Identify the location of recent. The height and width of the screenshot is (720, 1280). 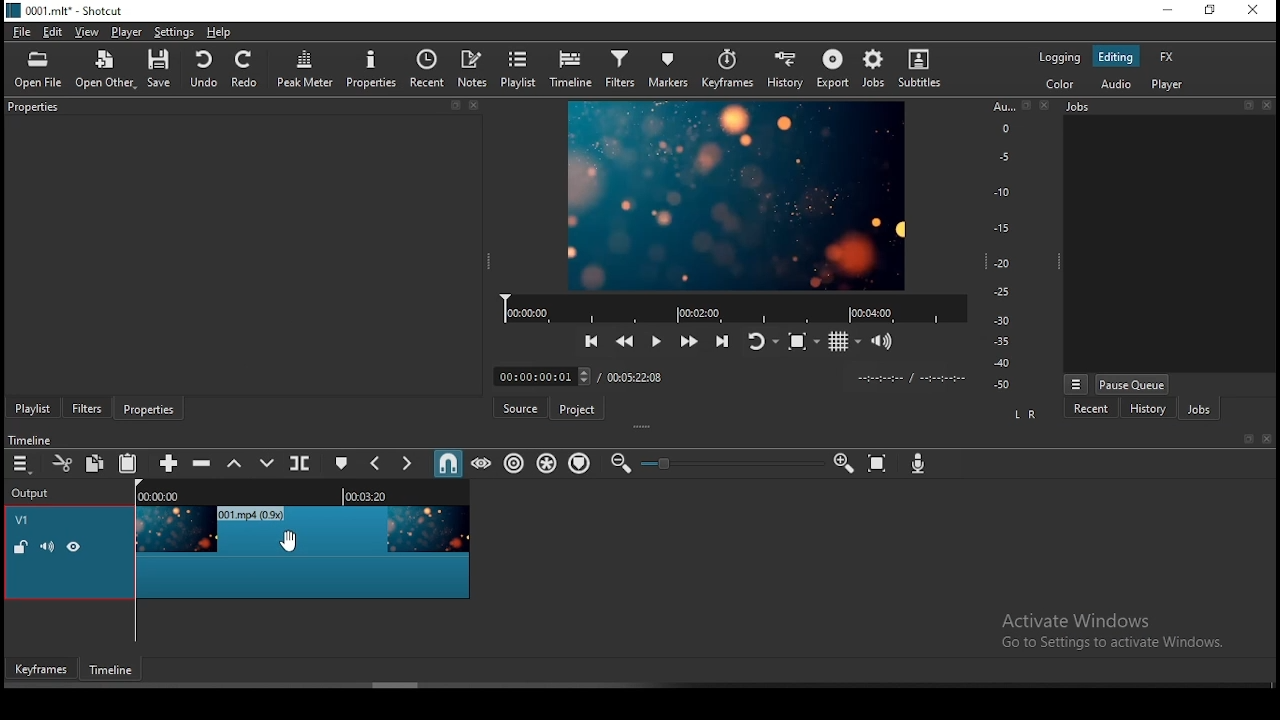
(425, 69).